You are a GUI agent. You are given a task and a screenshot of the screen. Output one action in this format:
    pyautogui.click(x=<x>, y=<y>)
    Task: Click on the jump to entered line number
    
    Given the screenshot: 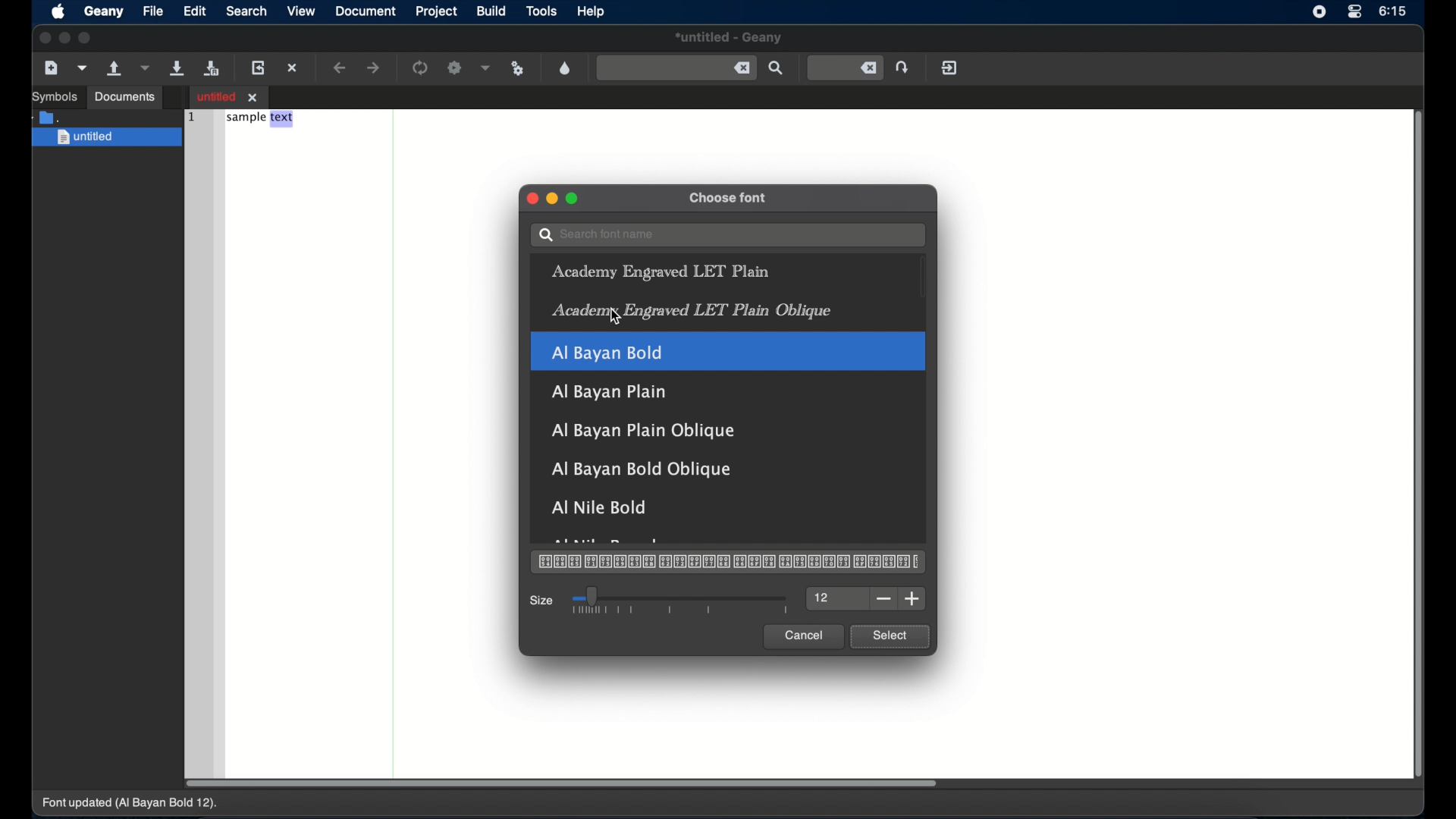 What is the action you would take?
    pyautogui.click(x=846, y=68)
    